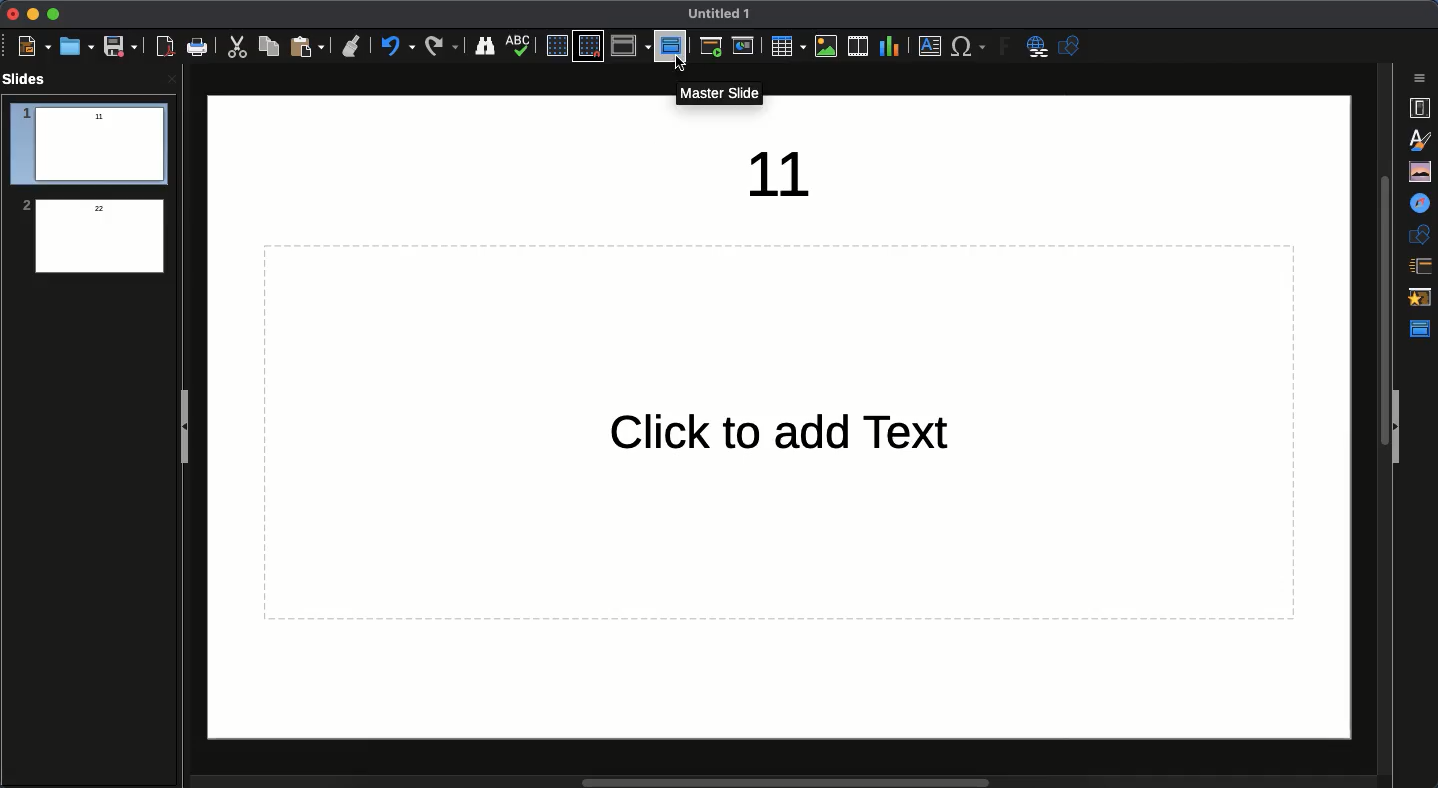 The width and height of the screenshot is (1438, 788). I want to click on Shapes, so click(1422, 234).